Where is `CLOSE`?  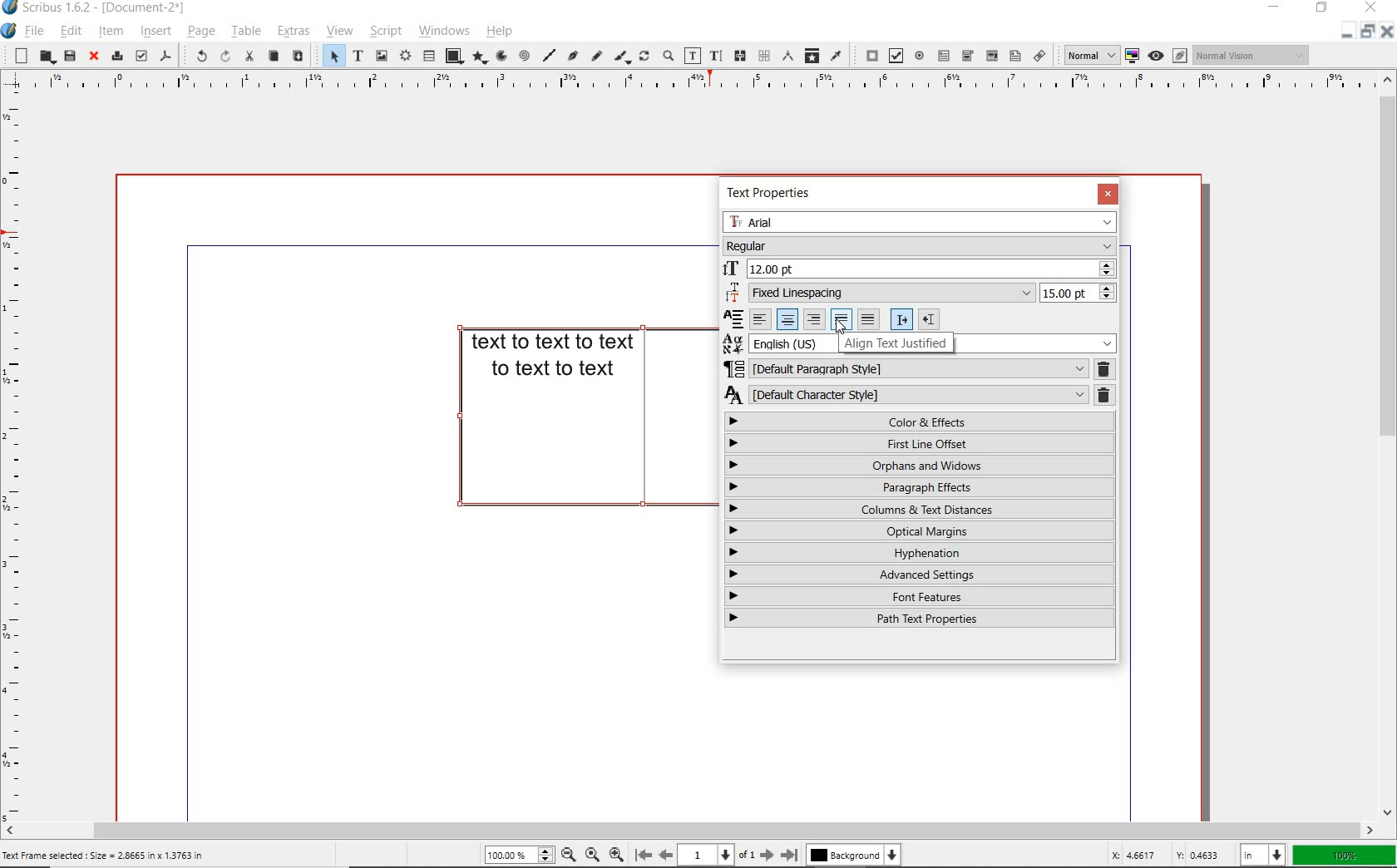 CLOSE is located at coordinates (1107, 195).